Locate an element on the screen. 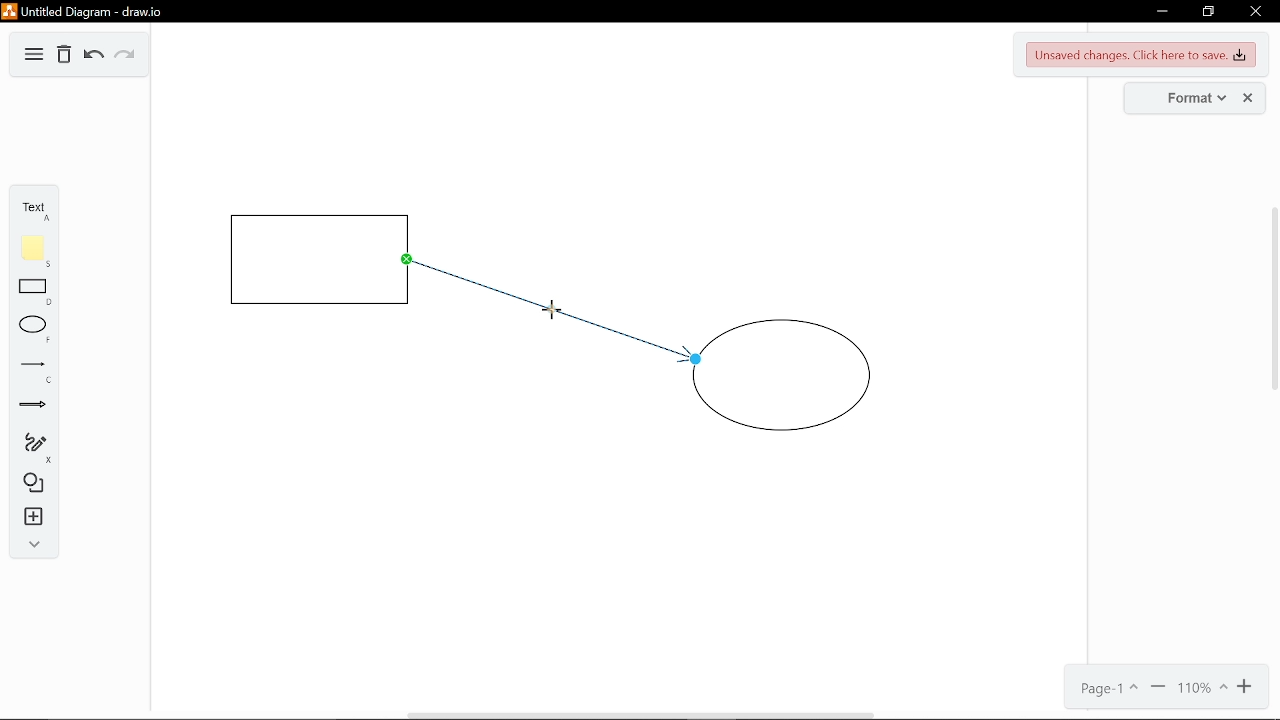 This screenshot has width=1280, height=720. Note is located at coordinates (33, 248).